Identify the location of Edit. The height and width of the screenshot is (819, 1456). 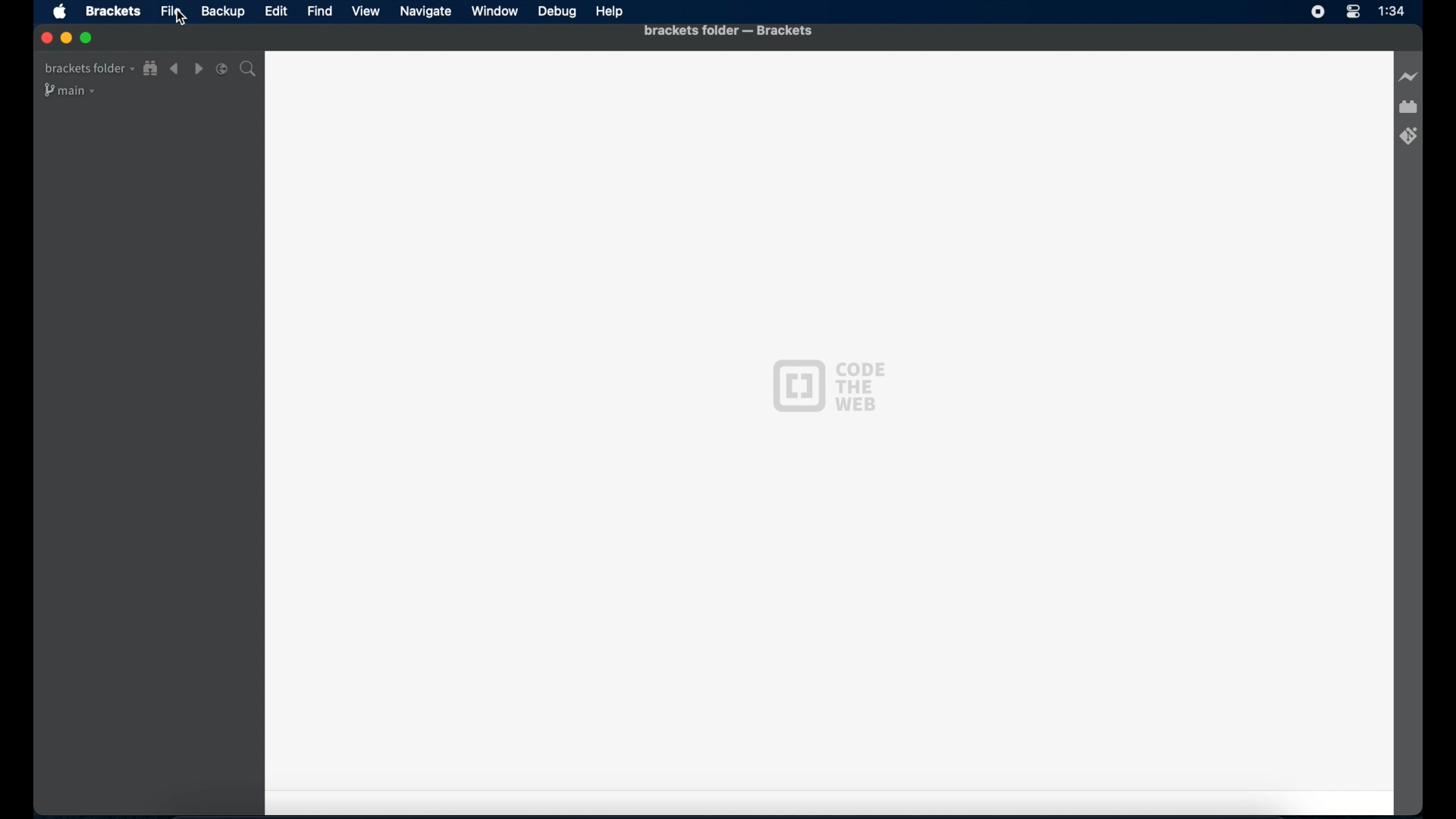
(275, 11).